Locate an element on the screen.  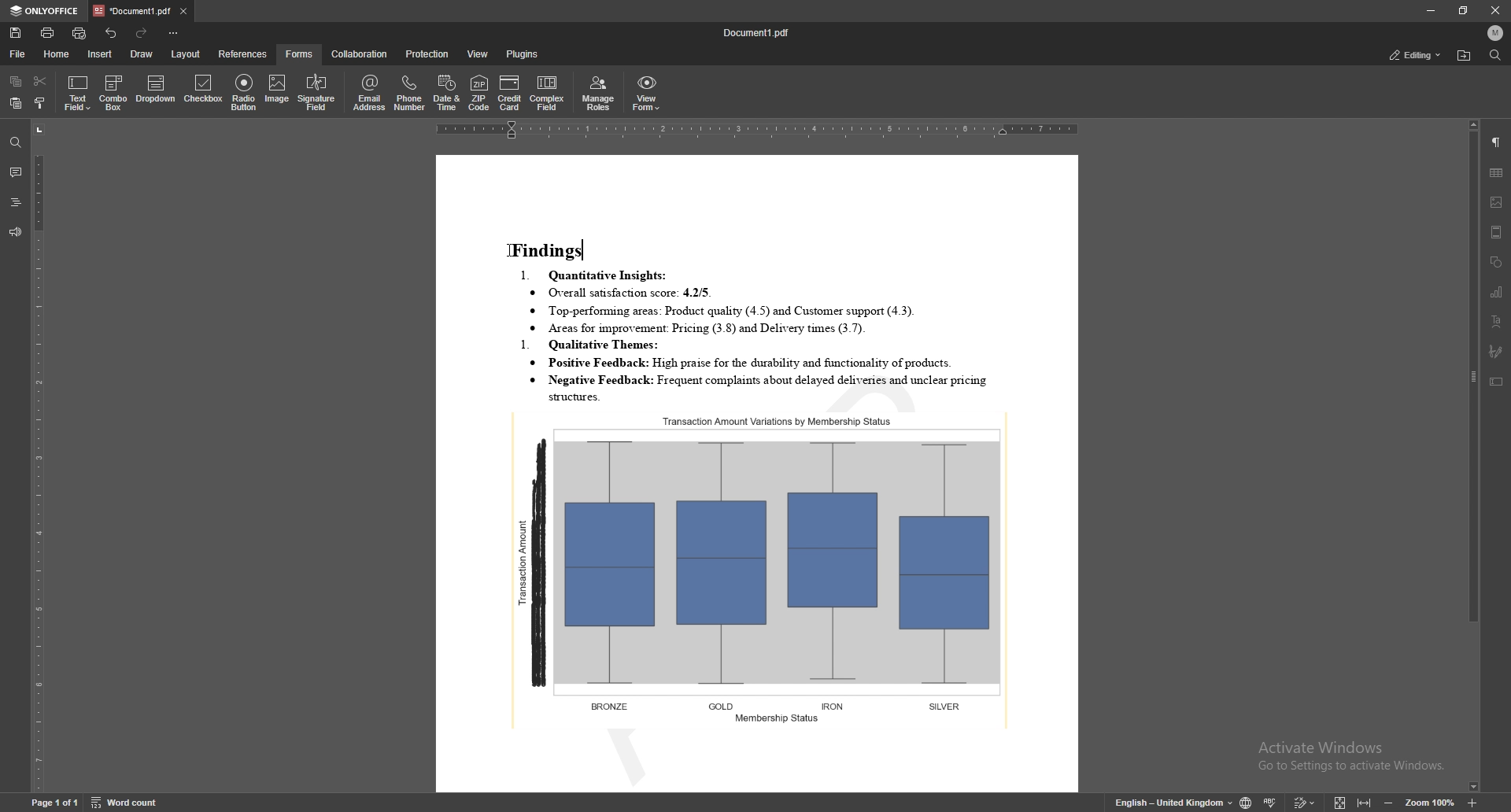
fit to screen is located at coordinates (1339, 803).